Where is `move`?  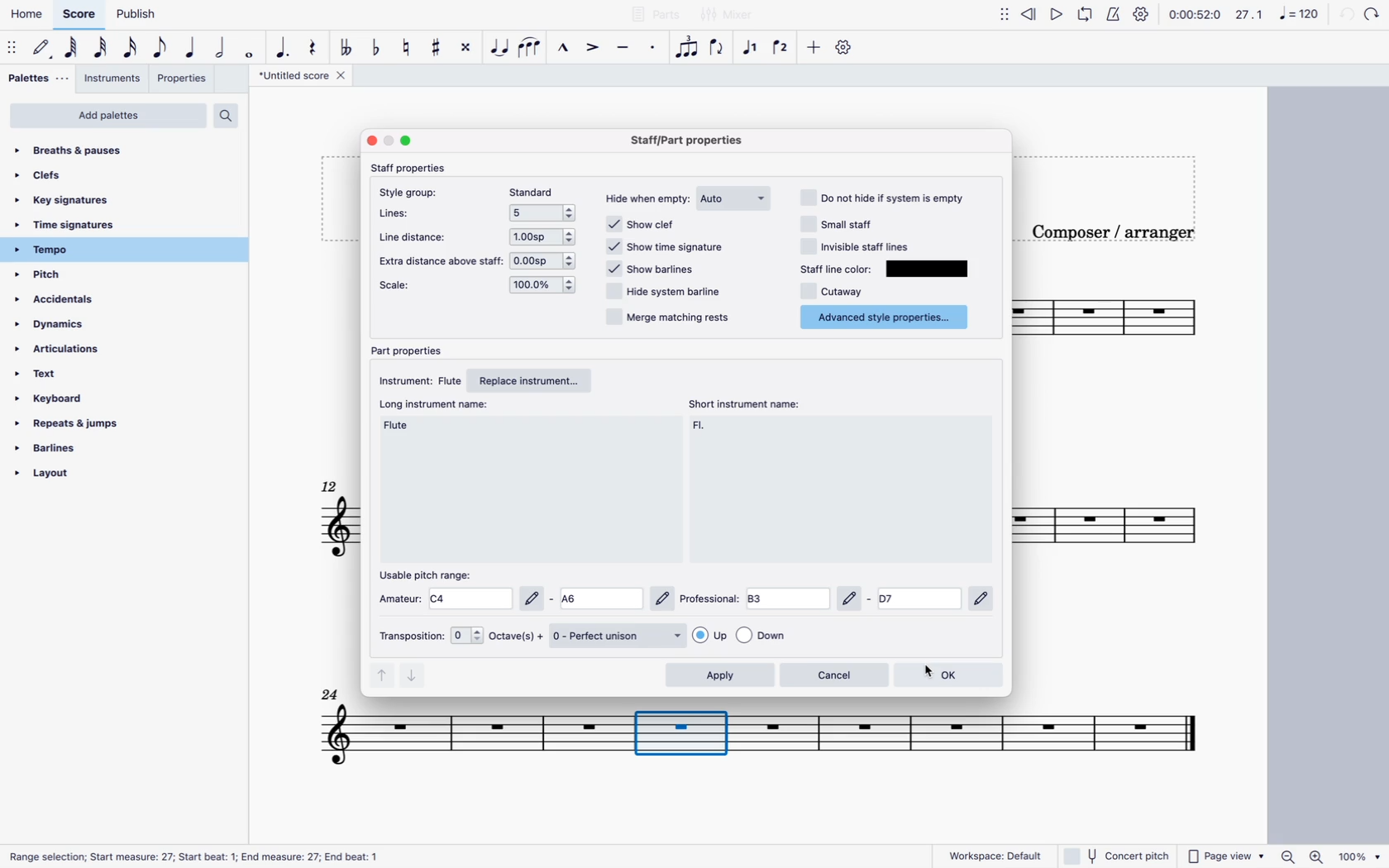
move is located at coordinates (1000, 13).